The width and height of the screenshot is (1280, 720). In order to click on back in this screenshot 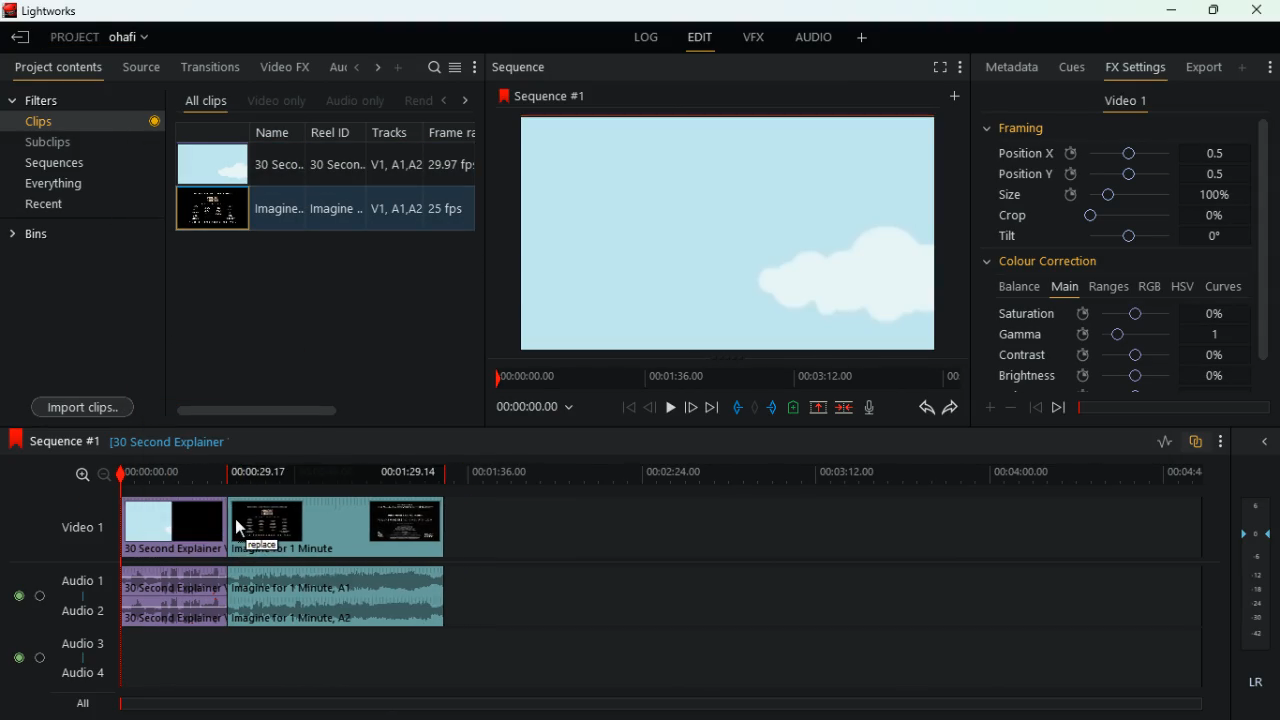, I will do `click(23, 39)`.